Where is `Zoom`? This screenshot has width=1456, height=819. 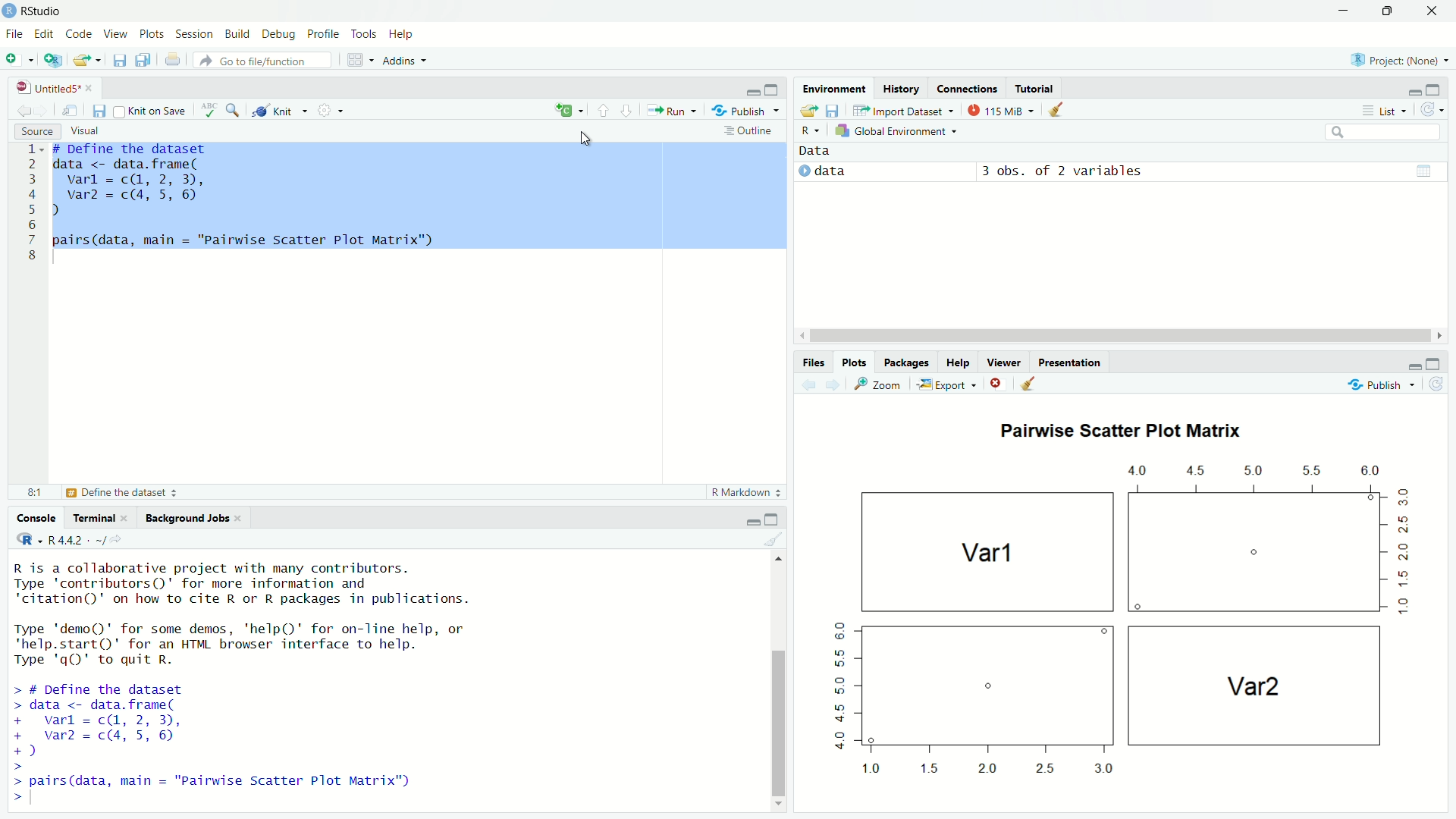
Zoom is located at coordinates (875, 382).